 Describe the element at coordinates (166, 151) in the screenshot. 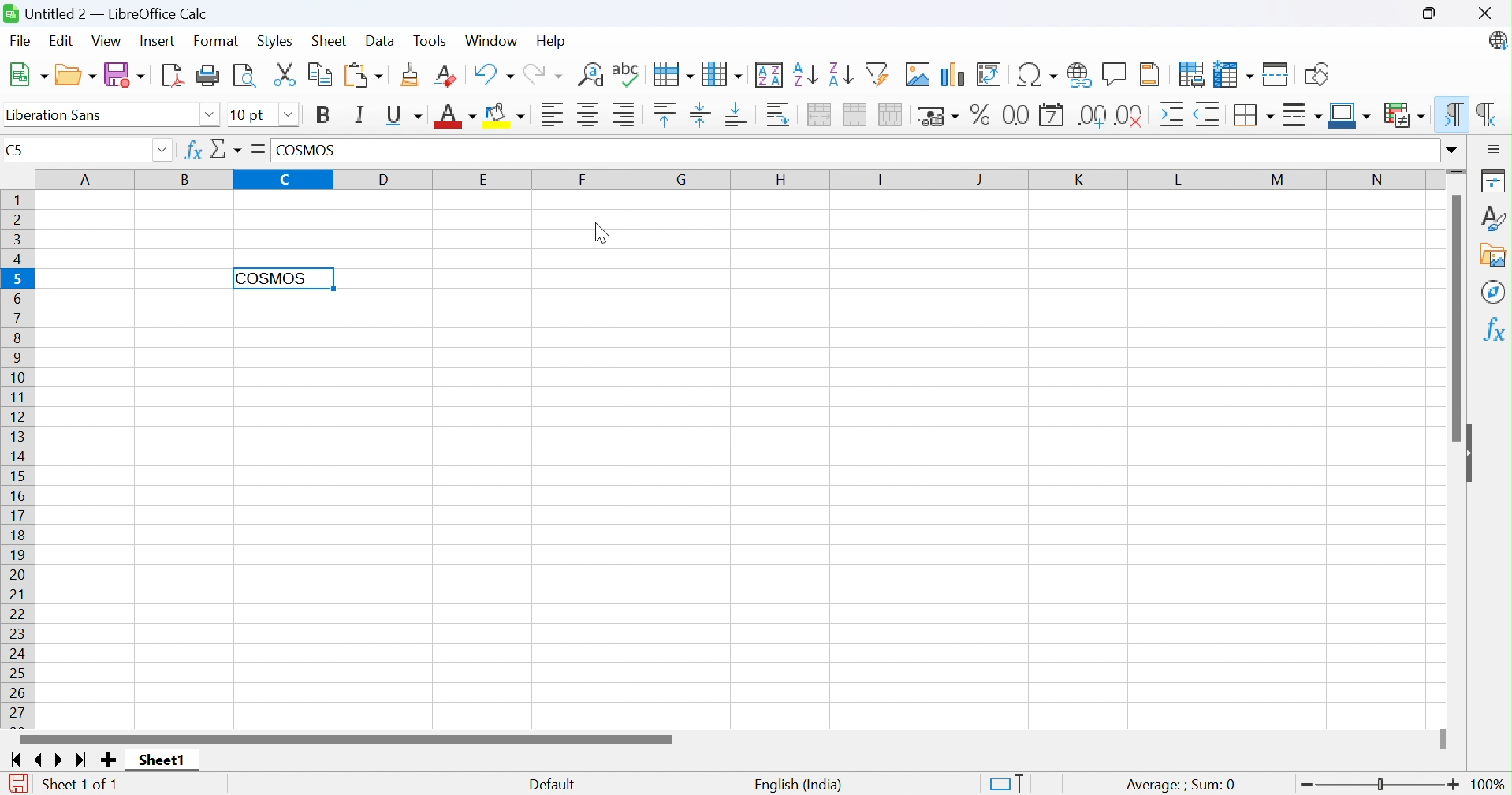

I see `Drop down` at that location.